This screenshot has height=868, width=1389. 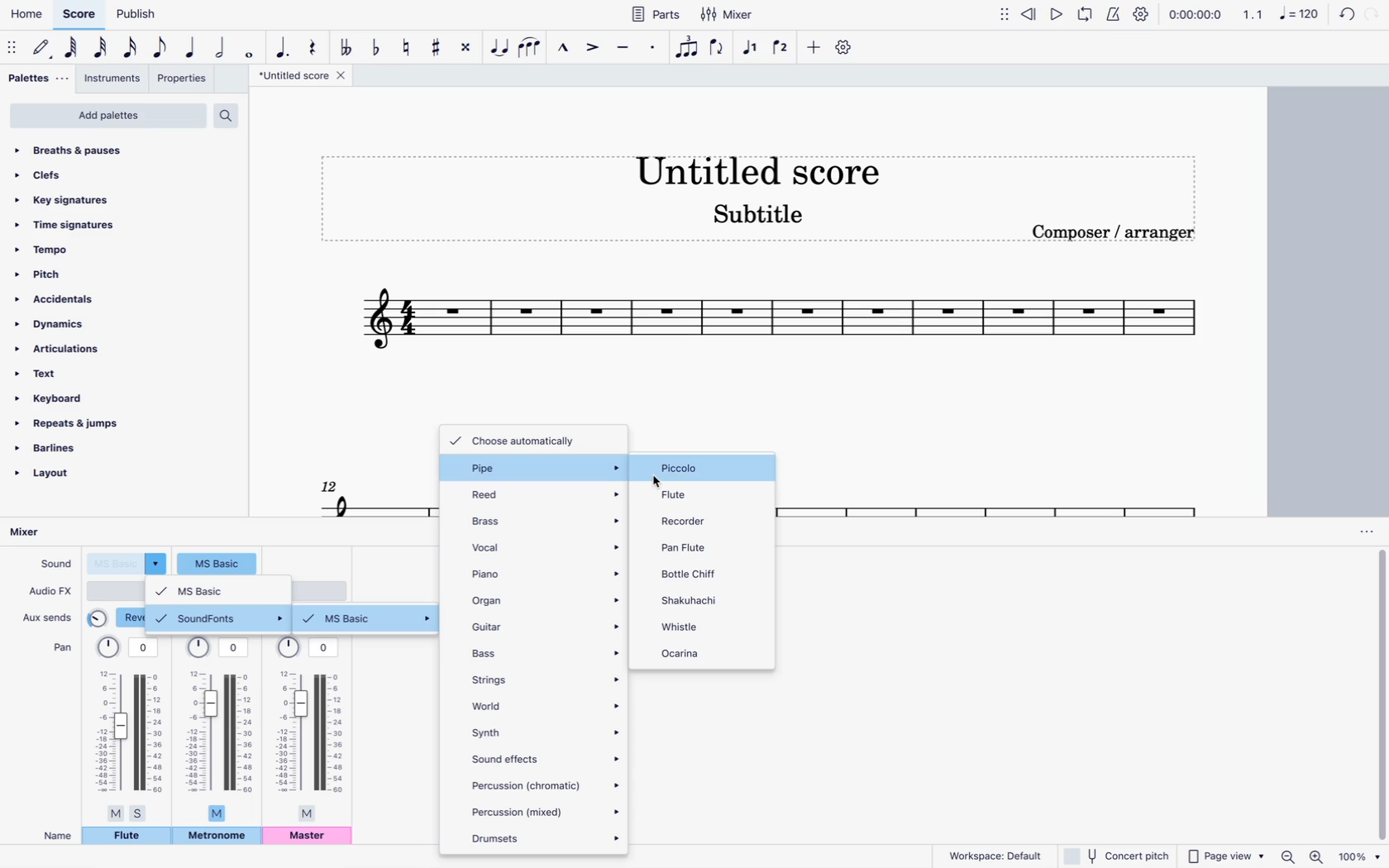 What do you see at coordinates (219, 618) in the screenshot?
I see `soundfonts` at bounding box center [219, 618].